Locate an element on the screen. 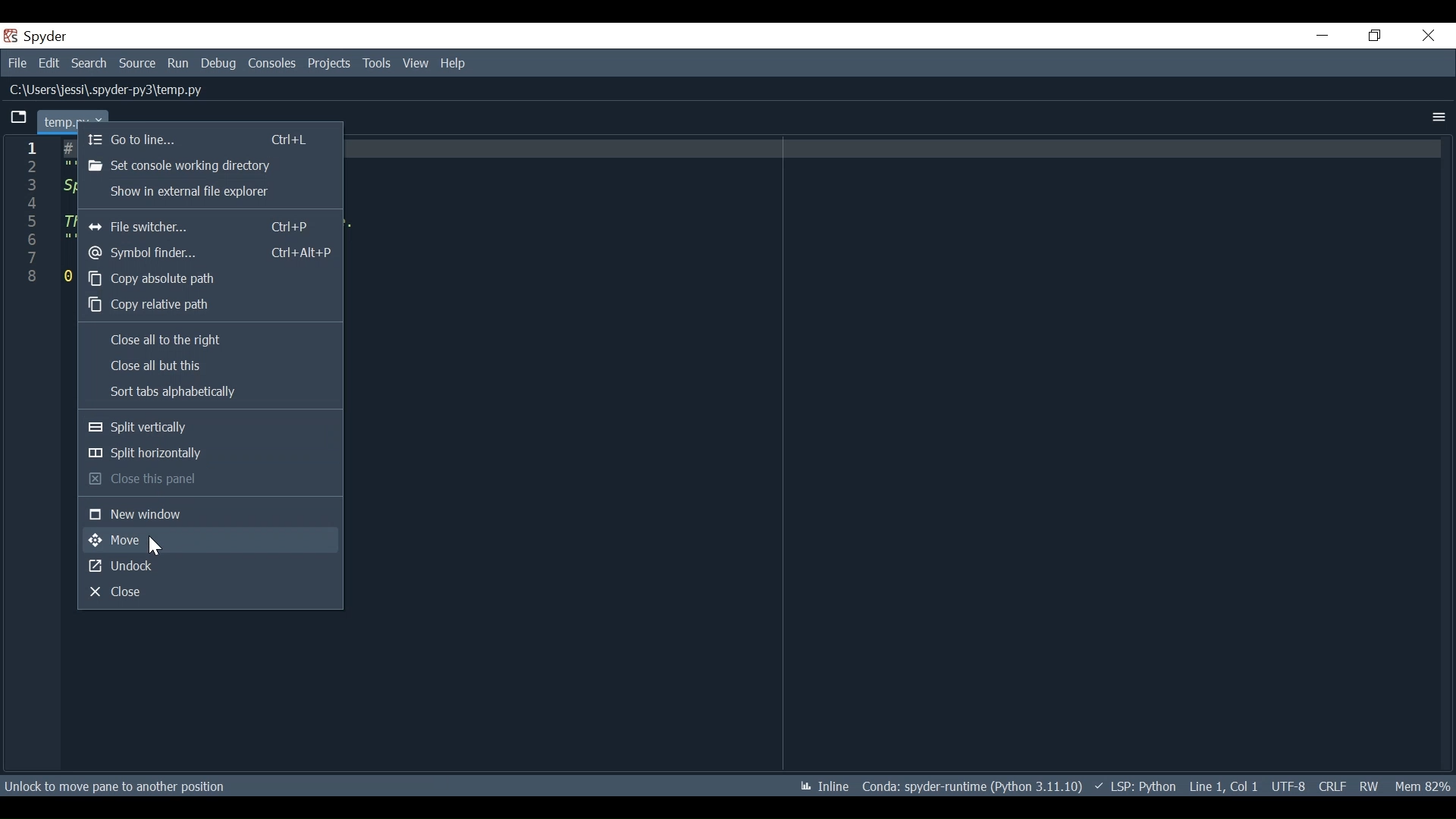 The image size is (1456, 819). Conda: spyder-runtime (Python 3.11.10) is located at coordinates (974, 789).